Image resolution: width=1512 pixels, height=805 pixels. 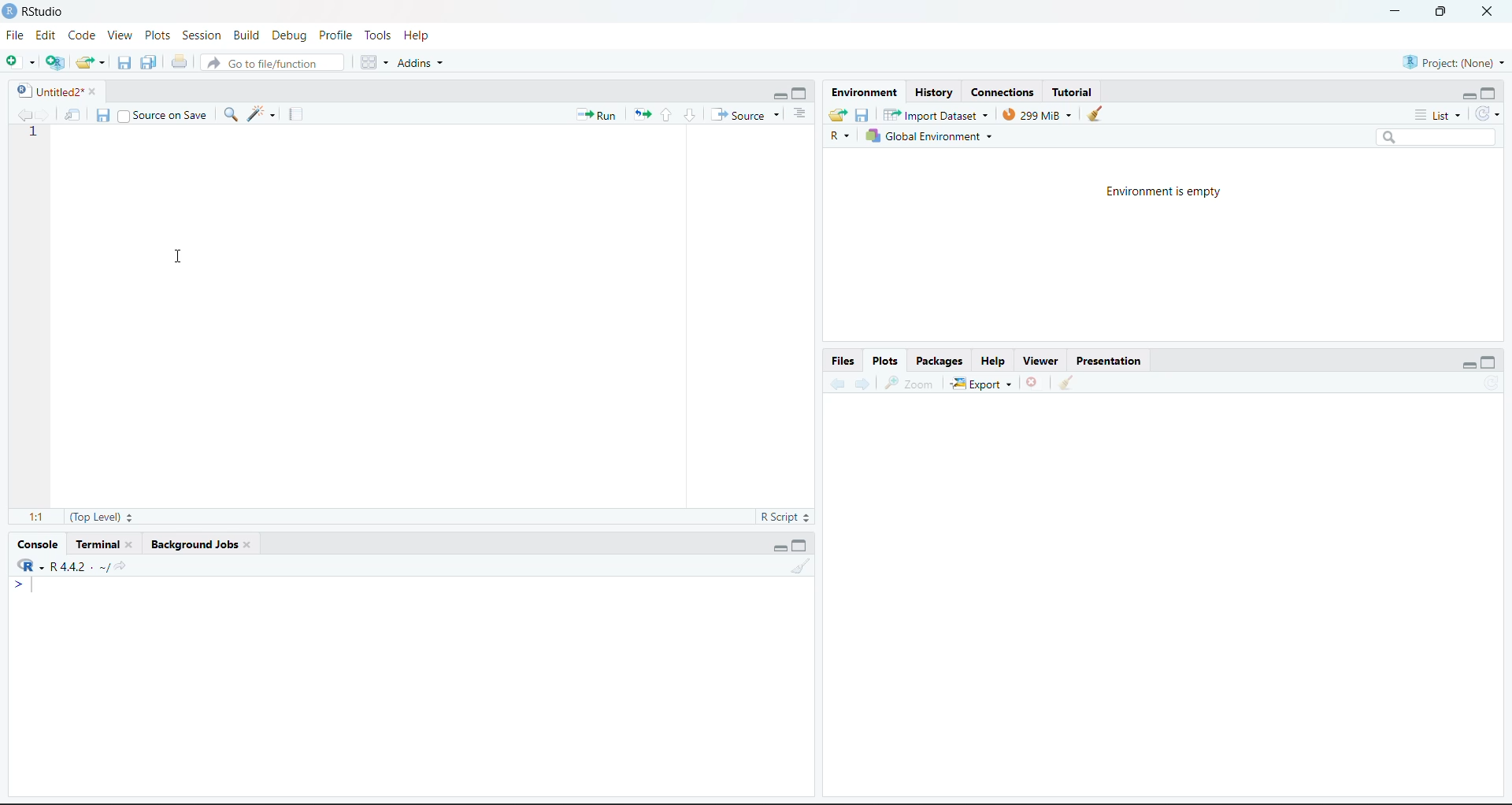 What do you see at coordinates (839, 136) in the screenshot?
I see `R` at bounding box center [839, 136].